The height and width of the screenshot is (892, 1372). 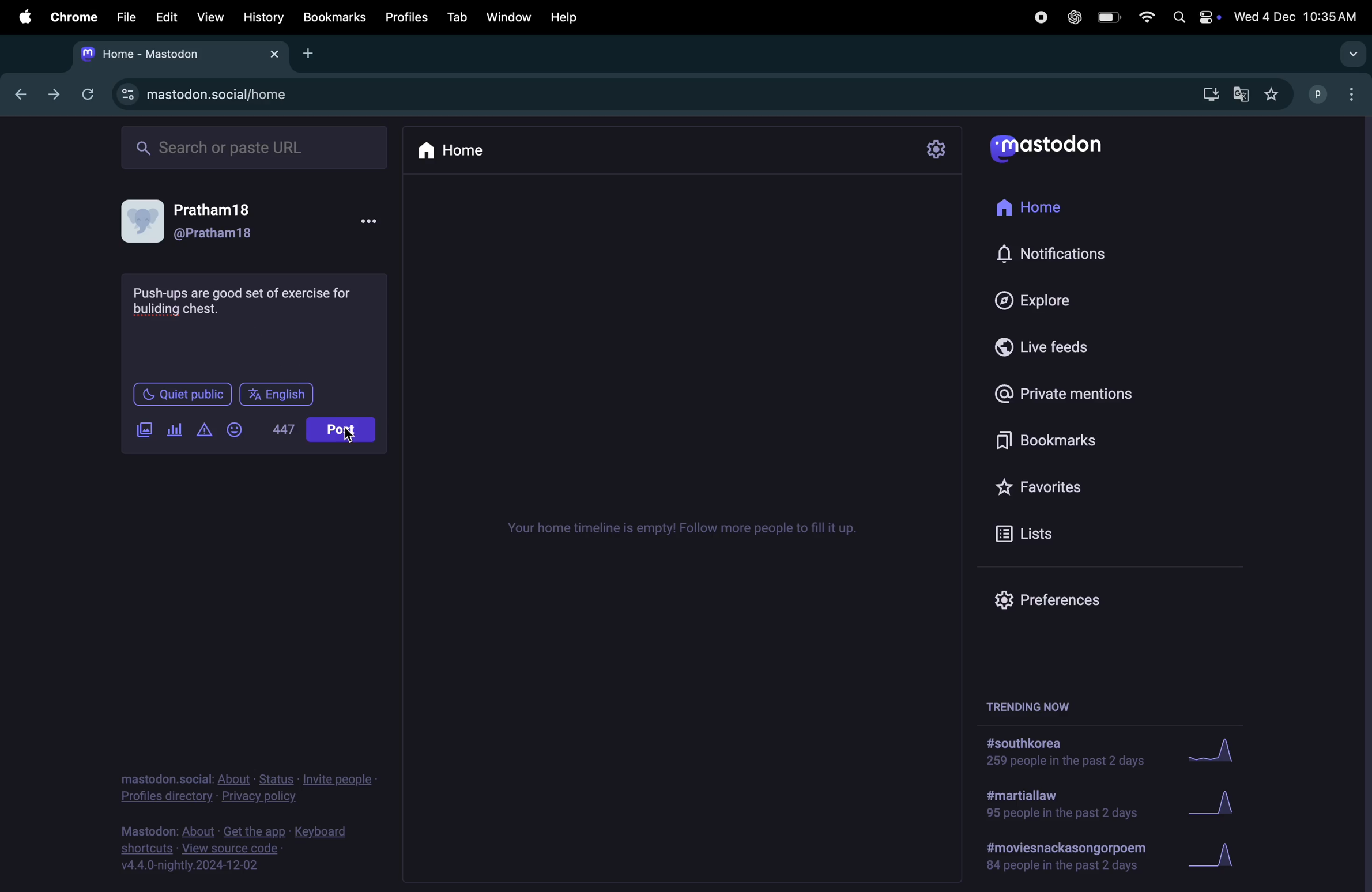 I want to click on Favourites, so click(x=1071, y=482).